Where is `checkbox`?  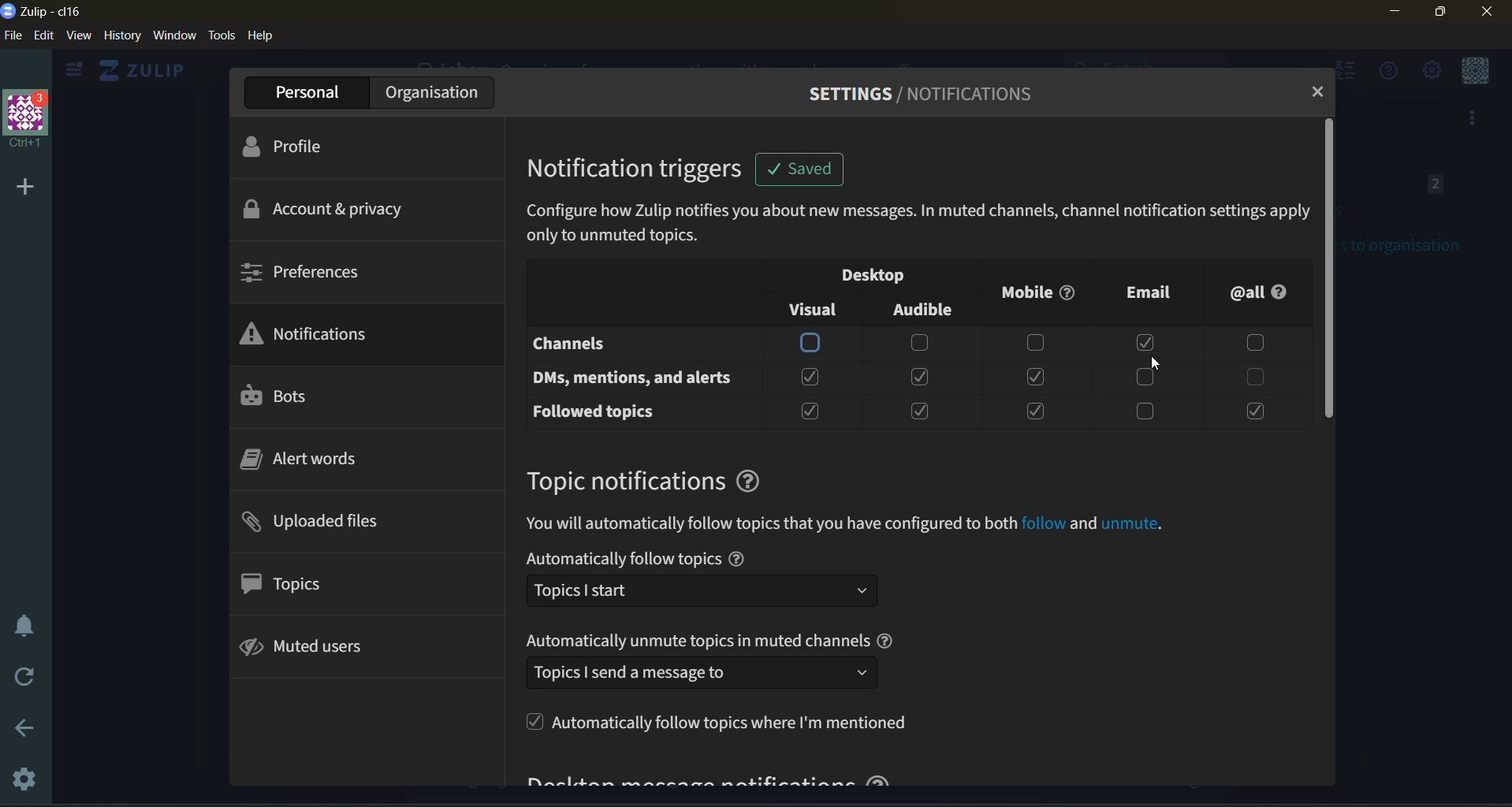 checkbox is located at coordinates (922, 378).